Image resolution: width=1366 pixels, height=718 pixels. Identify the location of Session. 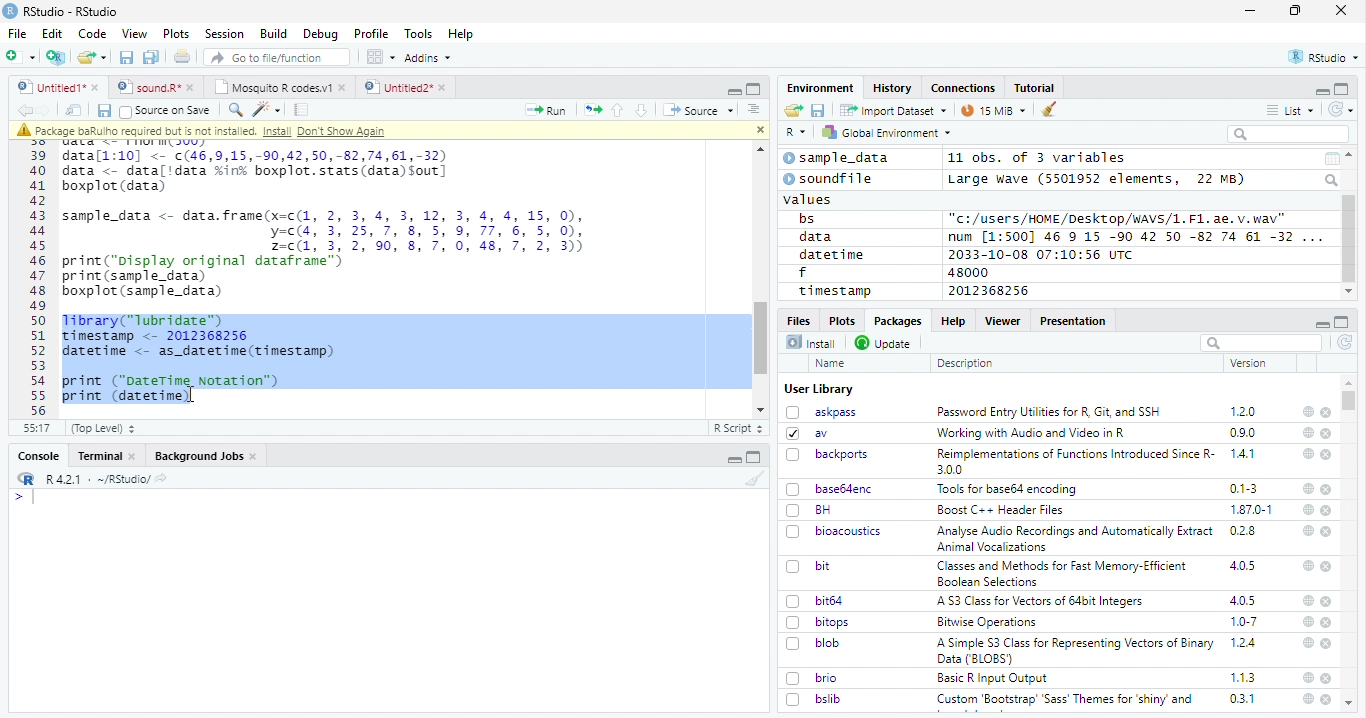
(223, 34).